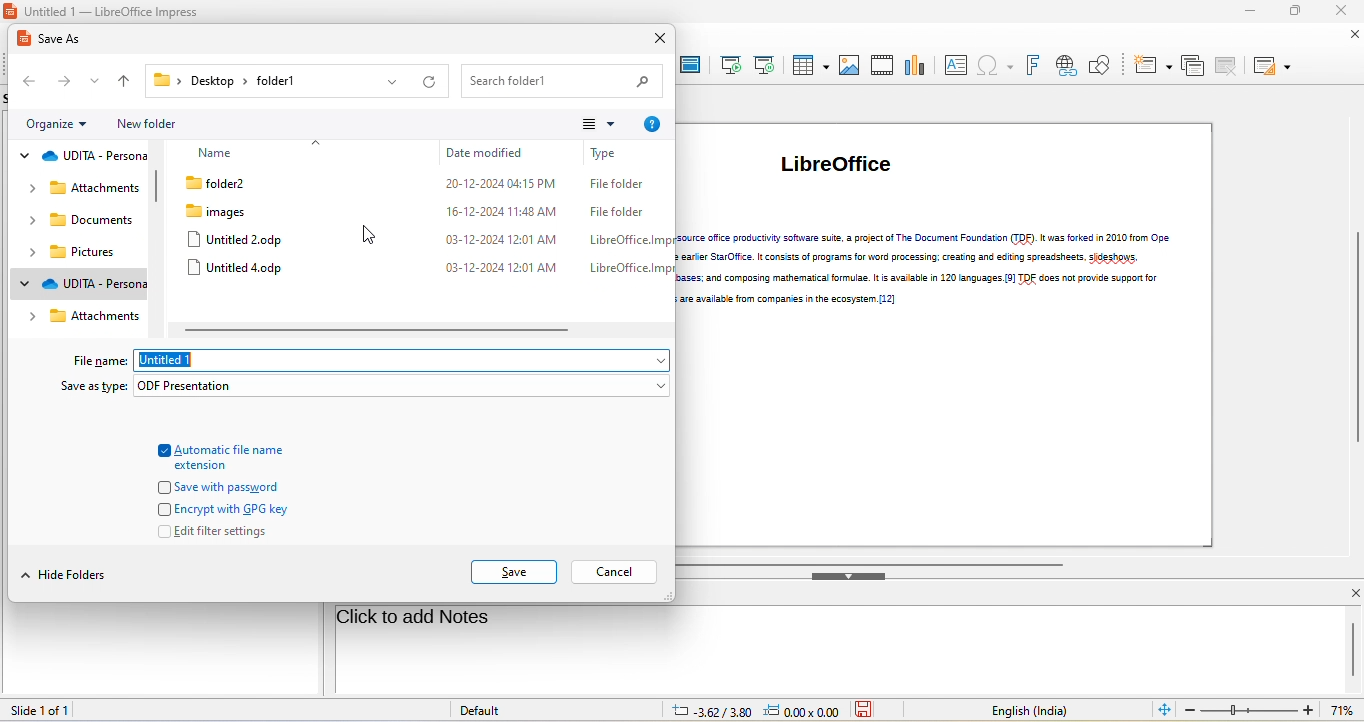  What do you see at coordinates (1031, 65) in the screenshot?
I see `font work text` at bounding box center [1031, 65].